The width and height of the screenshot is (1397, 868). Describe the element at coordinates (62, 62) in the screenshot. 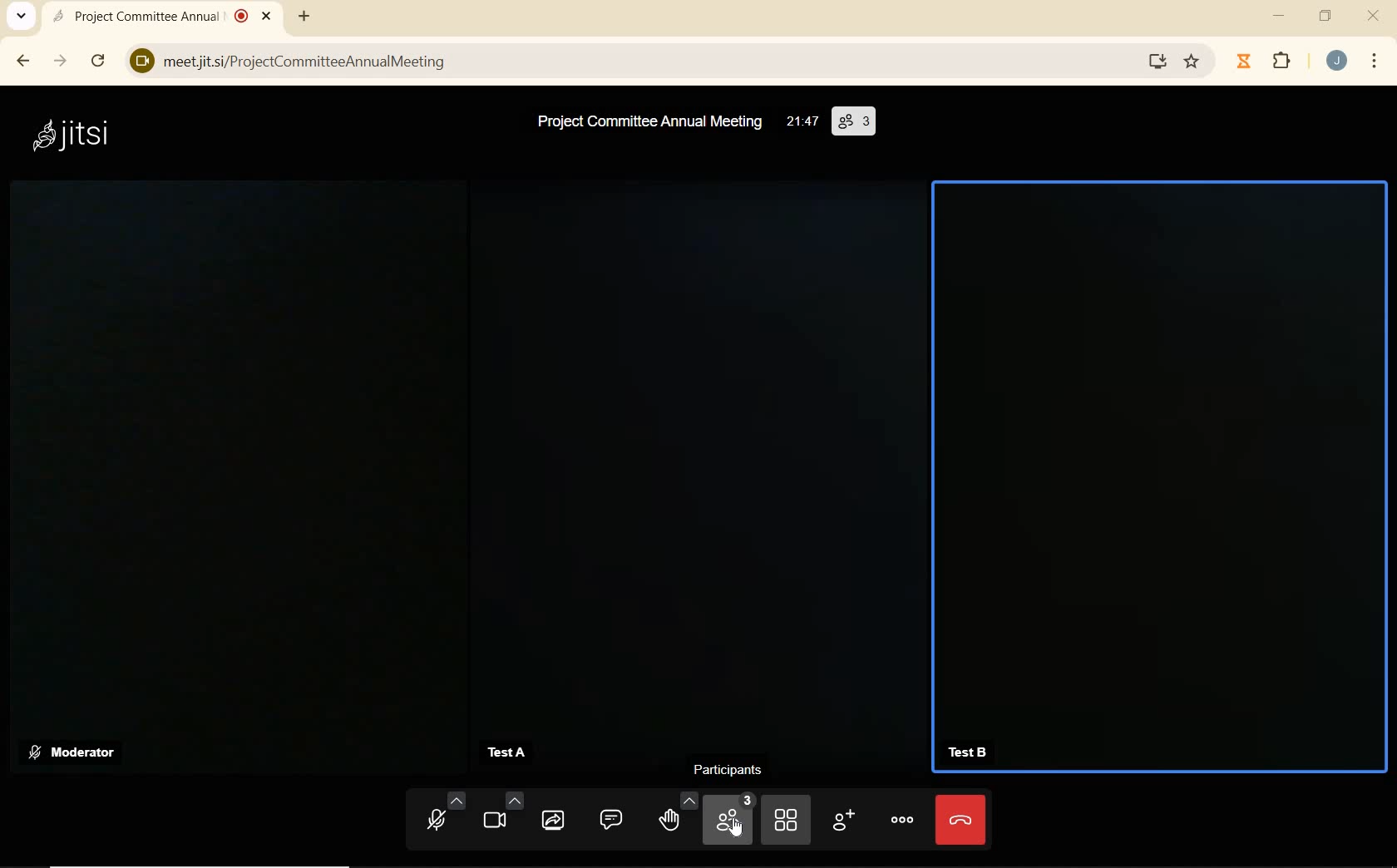

I see `FORWARD` at that location.